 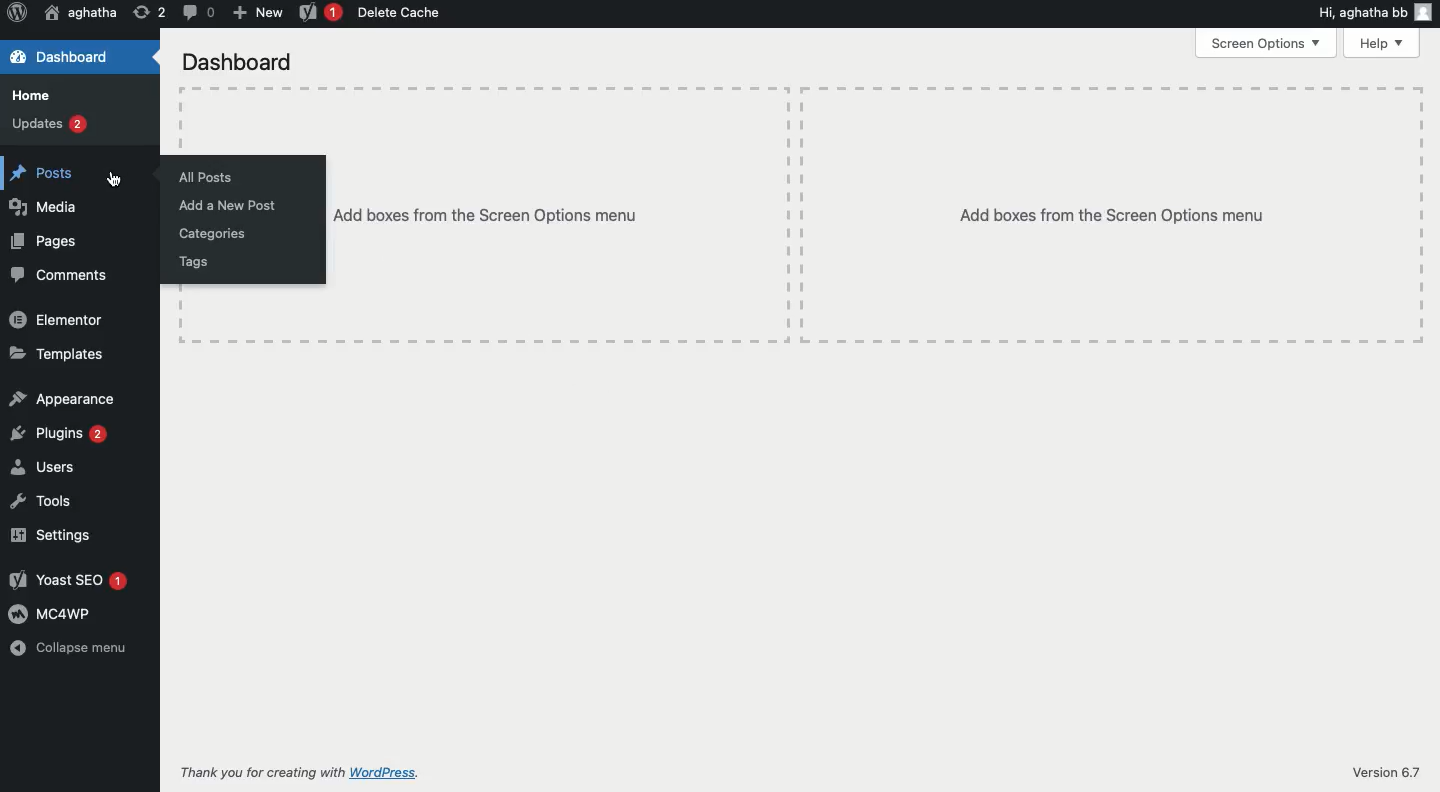 I want to click on Dashboard, so click(x=242, y=62).